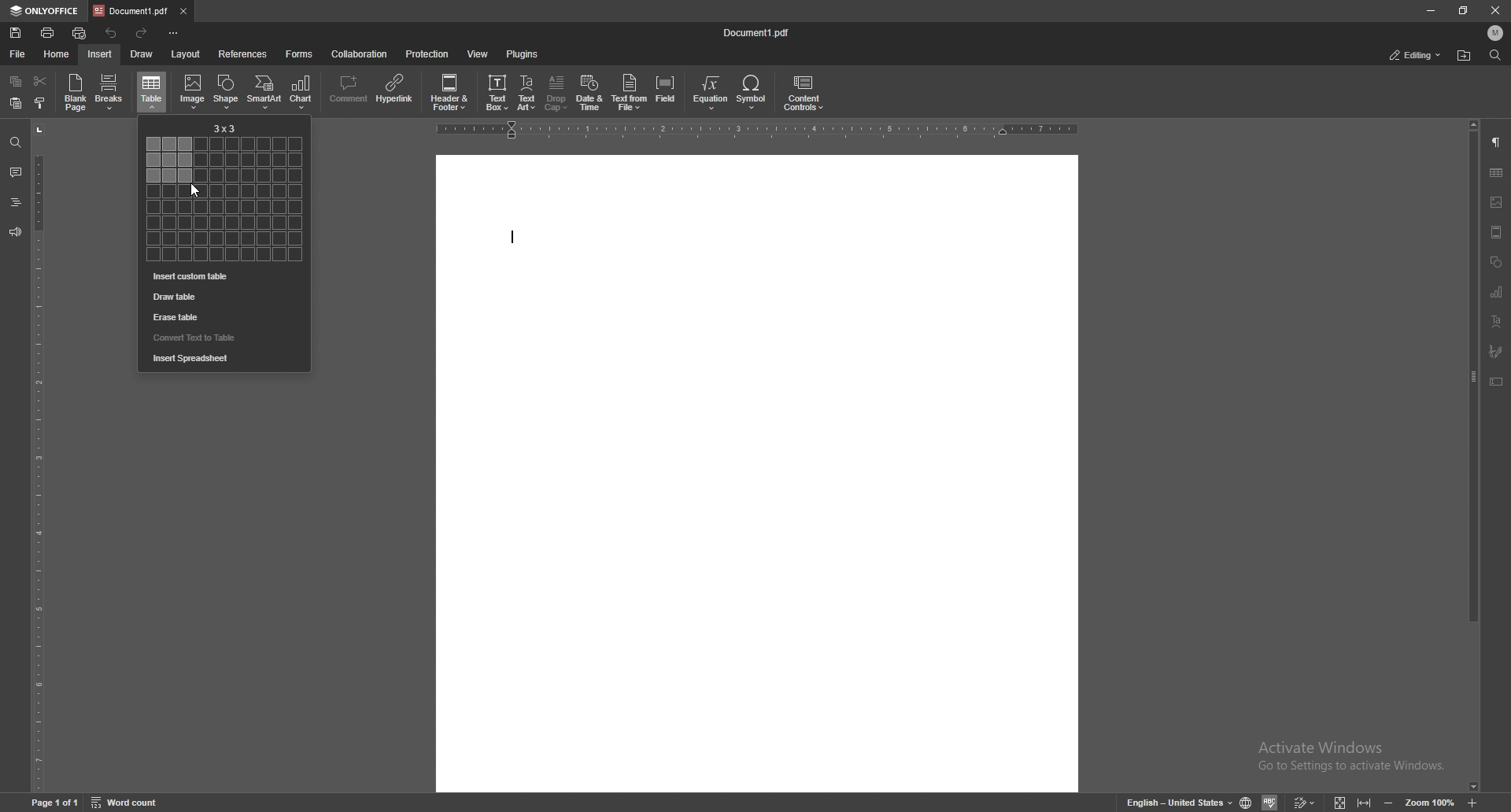 Image resolution: width=1511 pixels, height=812 pixels. I want to click on table dimensions selection, so click(226, 199).